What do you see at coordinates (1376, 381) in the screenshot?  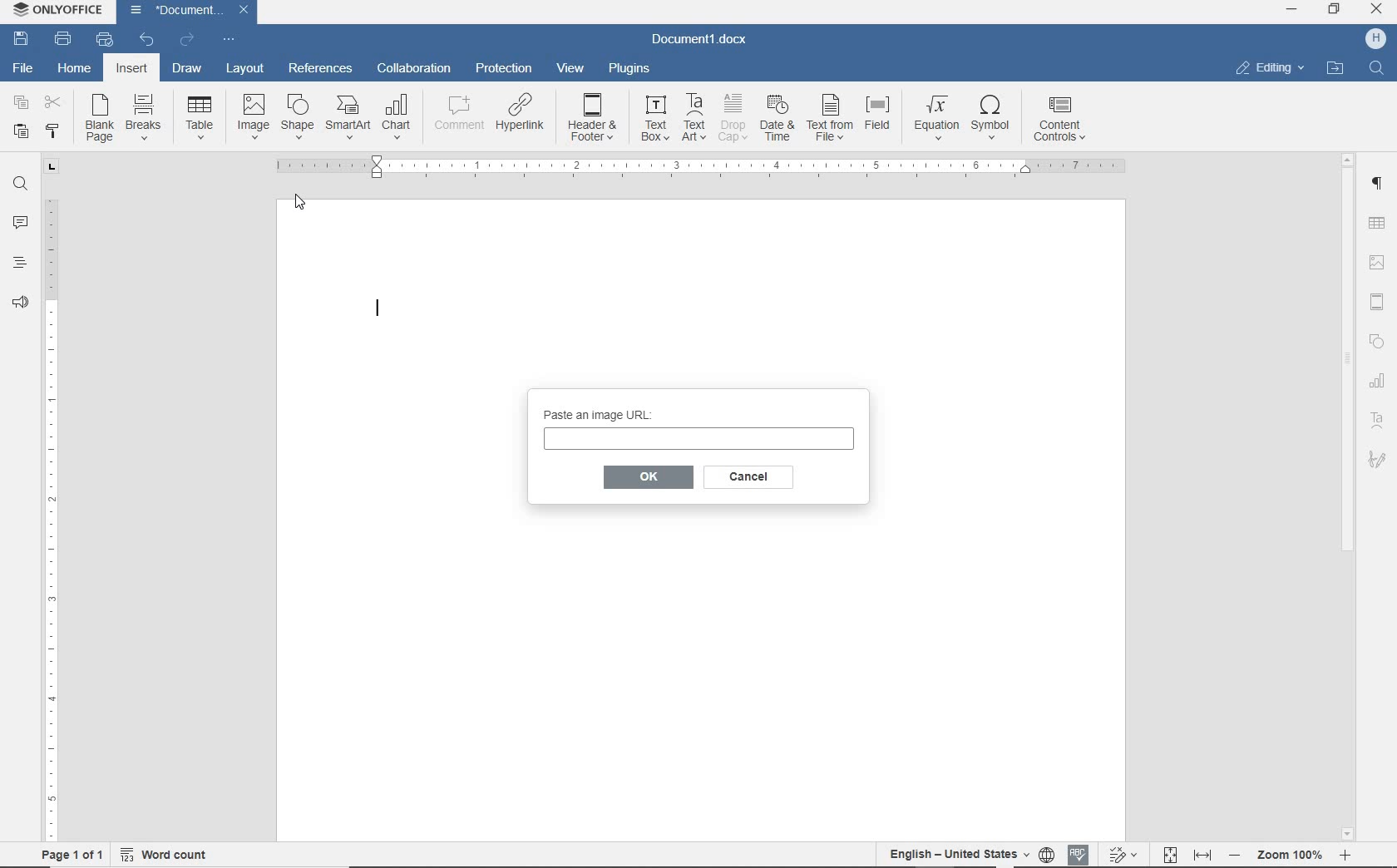 I see `chart` at bounding box center [1376, 381].